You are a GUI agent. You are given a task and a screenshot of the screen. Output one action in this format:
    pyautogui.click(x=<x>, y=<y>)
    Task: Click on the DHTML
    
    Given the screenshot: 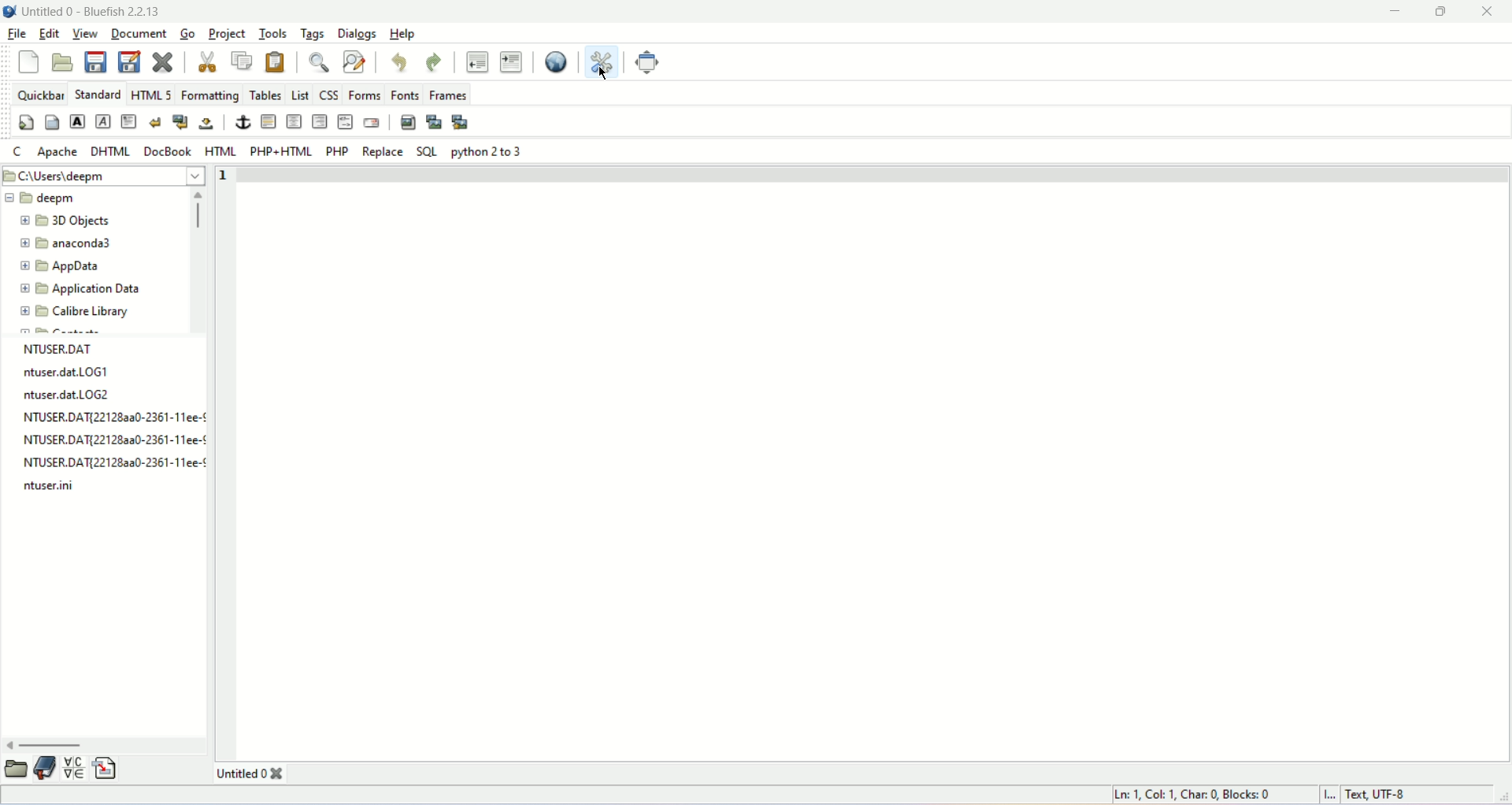 What is the action you would take?
    pyautogui.click(x=108, y=148)
    